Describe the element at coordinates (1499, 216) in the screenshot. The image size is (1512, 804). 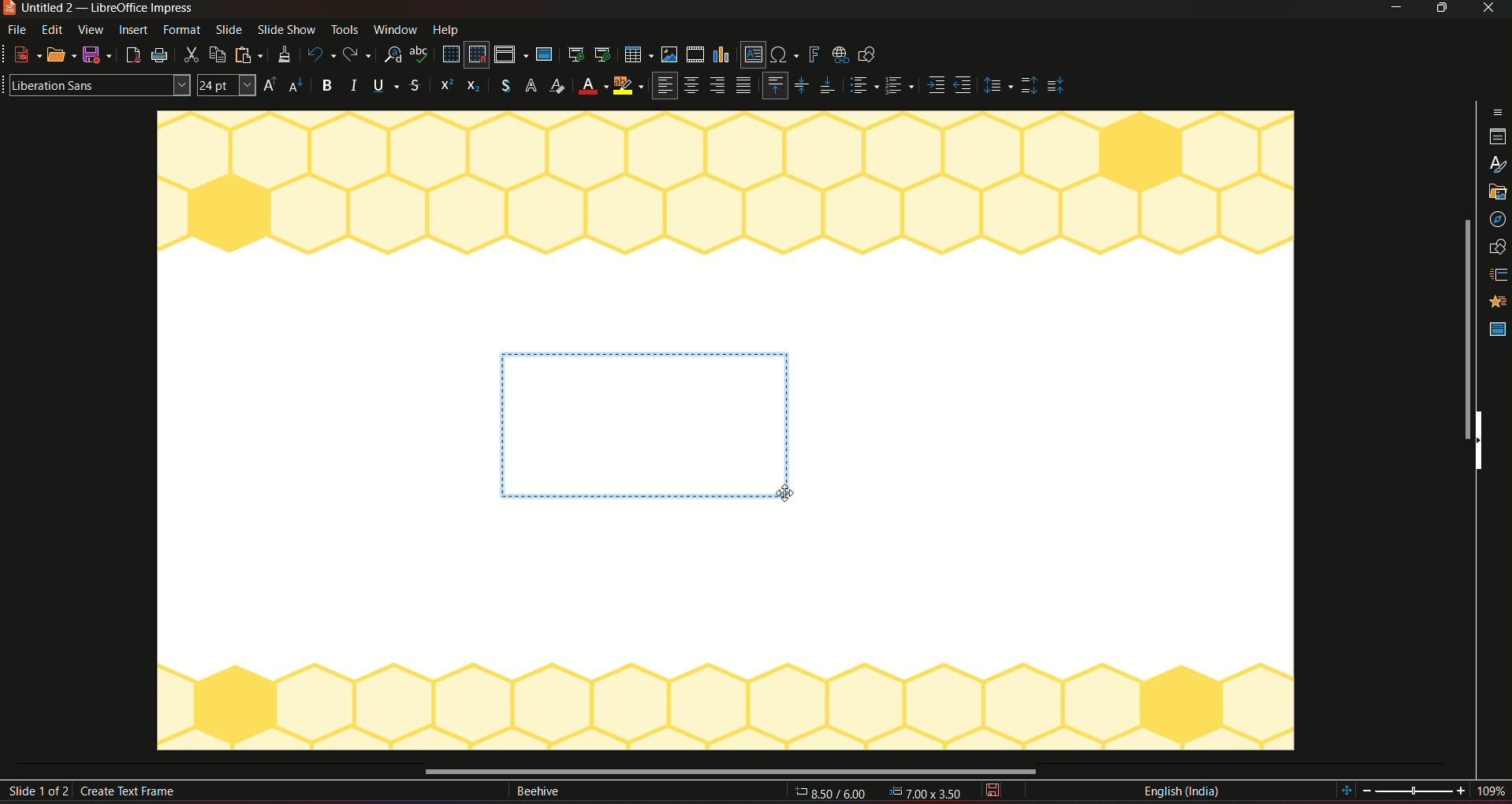
I see `shapes` at that location.